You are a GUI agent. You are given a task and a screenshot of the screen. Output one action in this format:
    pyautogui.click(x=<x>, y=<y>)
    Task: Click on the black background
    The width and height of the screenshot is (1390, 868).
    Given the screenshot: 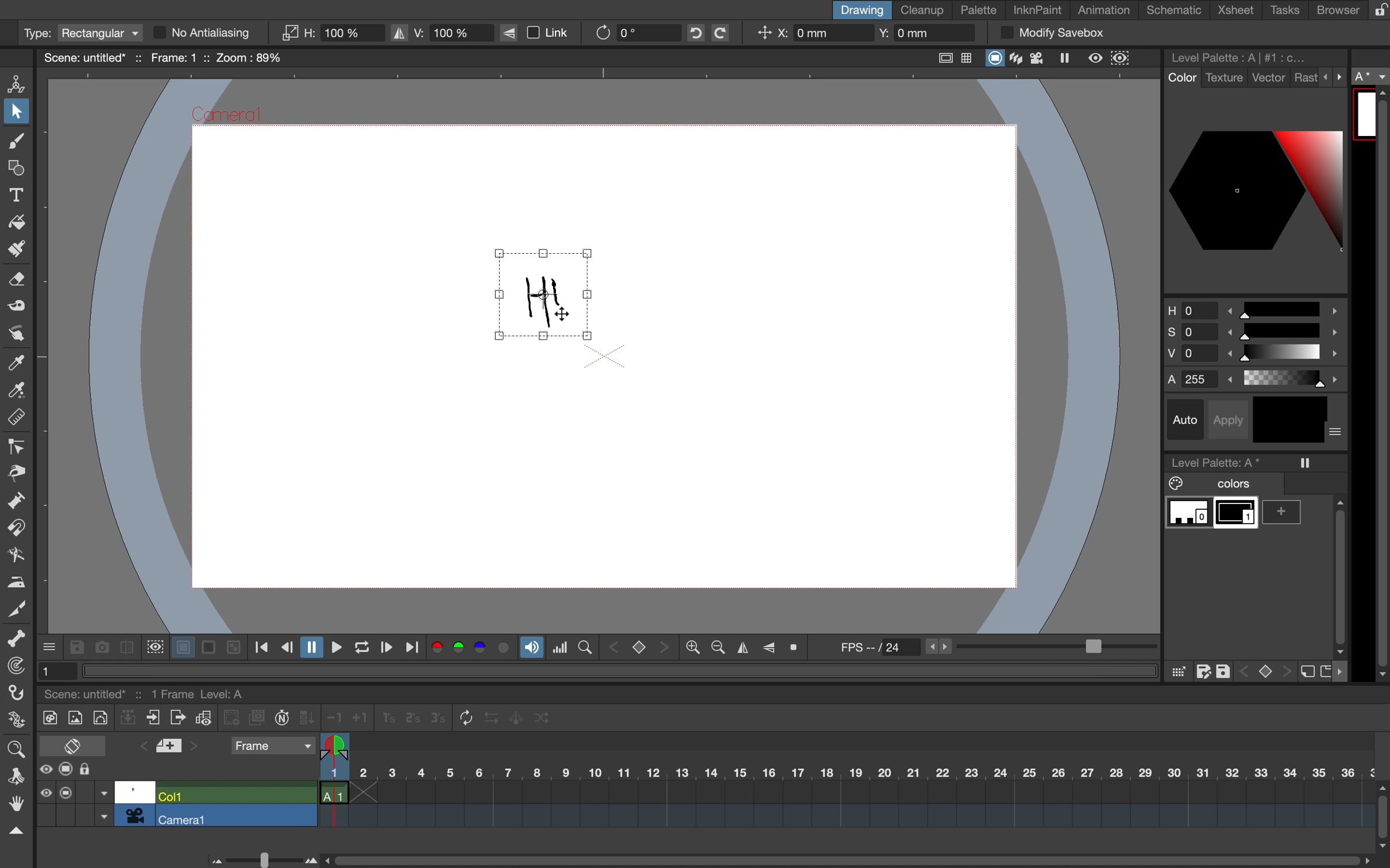 What is the action you would take?
    pyautogui.click(x=208, y=648)
    